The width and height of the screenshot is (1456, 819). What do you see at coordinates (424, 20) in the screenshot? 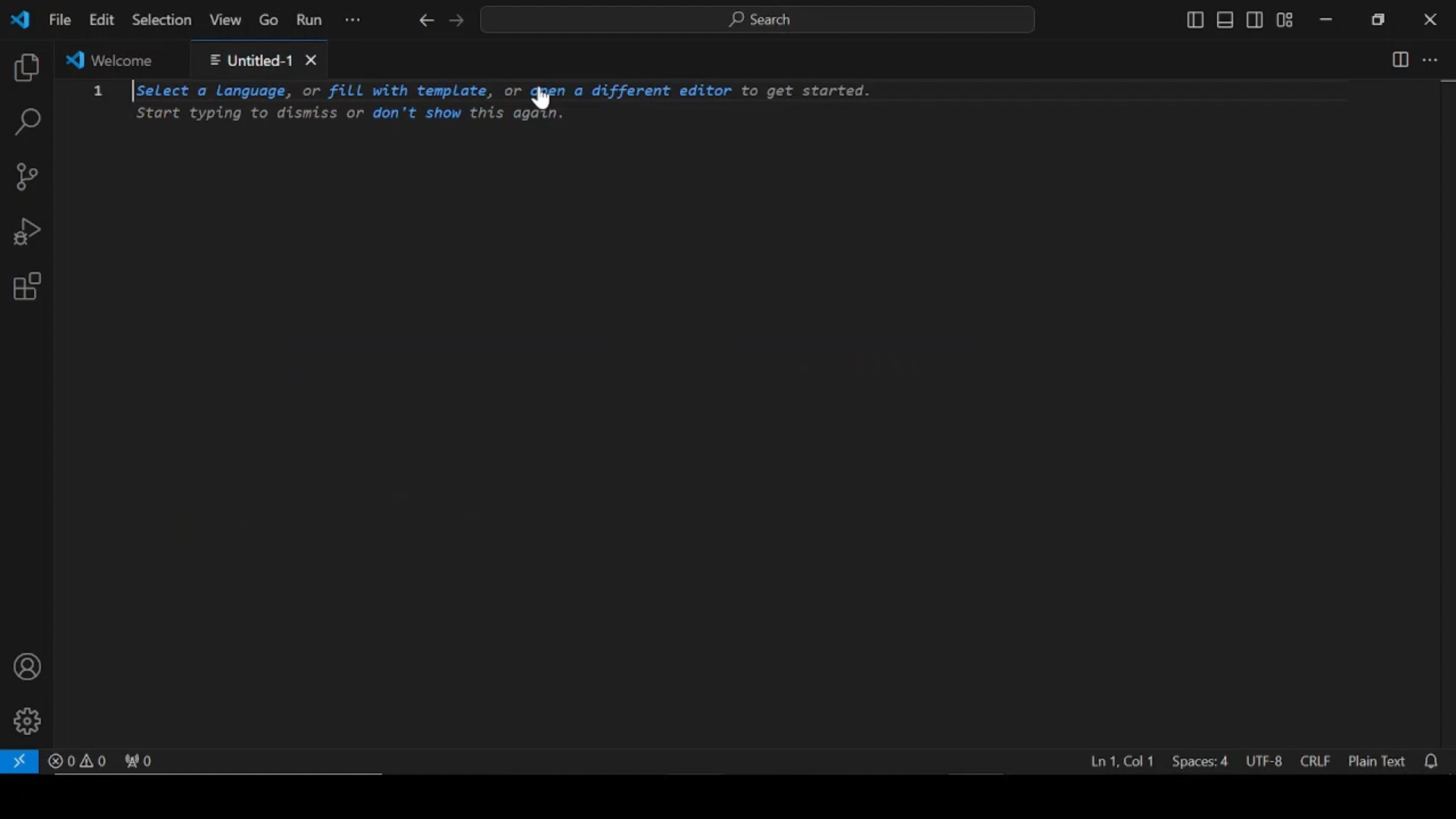
I see `previous` at bounding box center [424, 20].